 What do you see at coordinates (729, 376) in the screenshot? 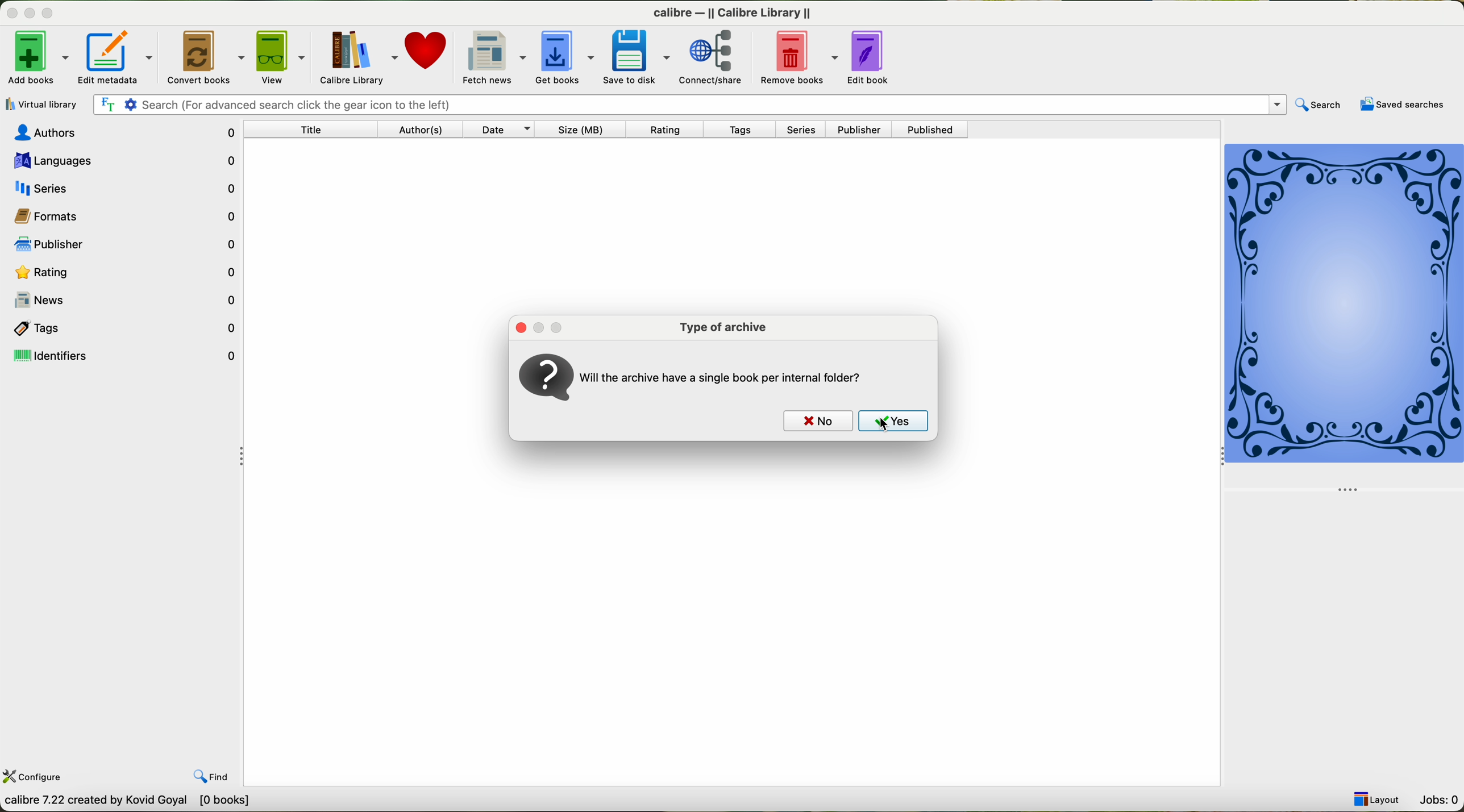
I see `will the archieve have a single book per internat folder?` at bounding box center [729, 376].